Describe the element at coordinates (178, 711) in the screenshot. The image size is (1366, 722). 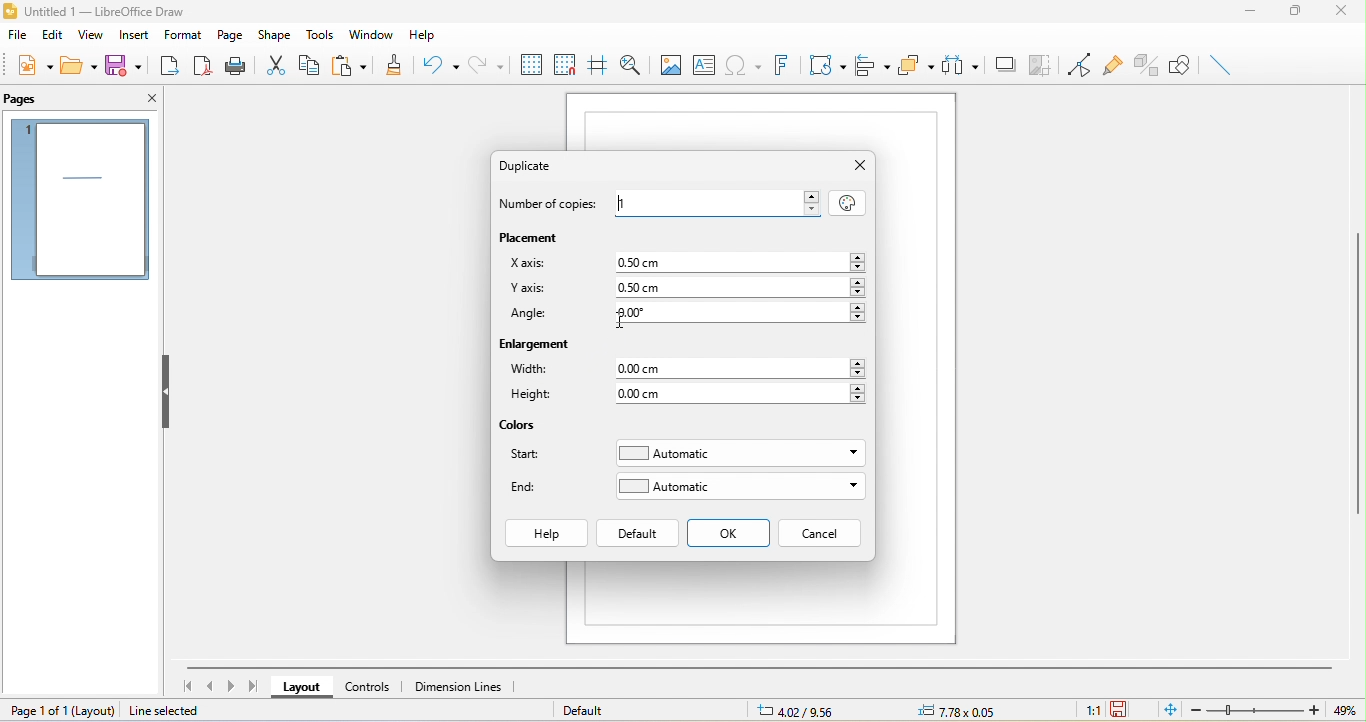
I see `line selected` at that location.